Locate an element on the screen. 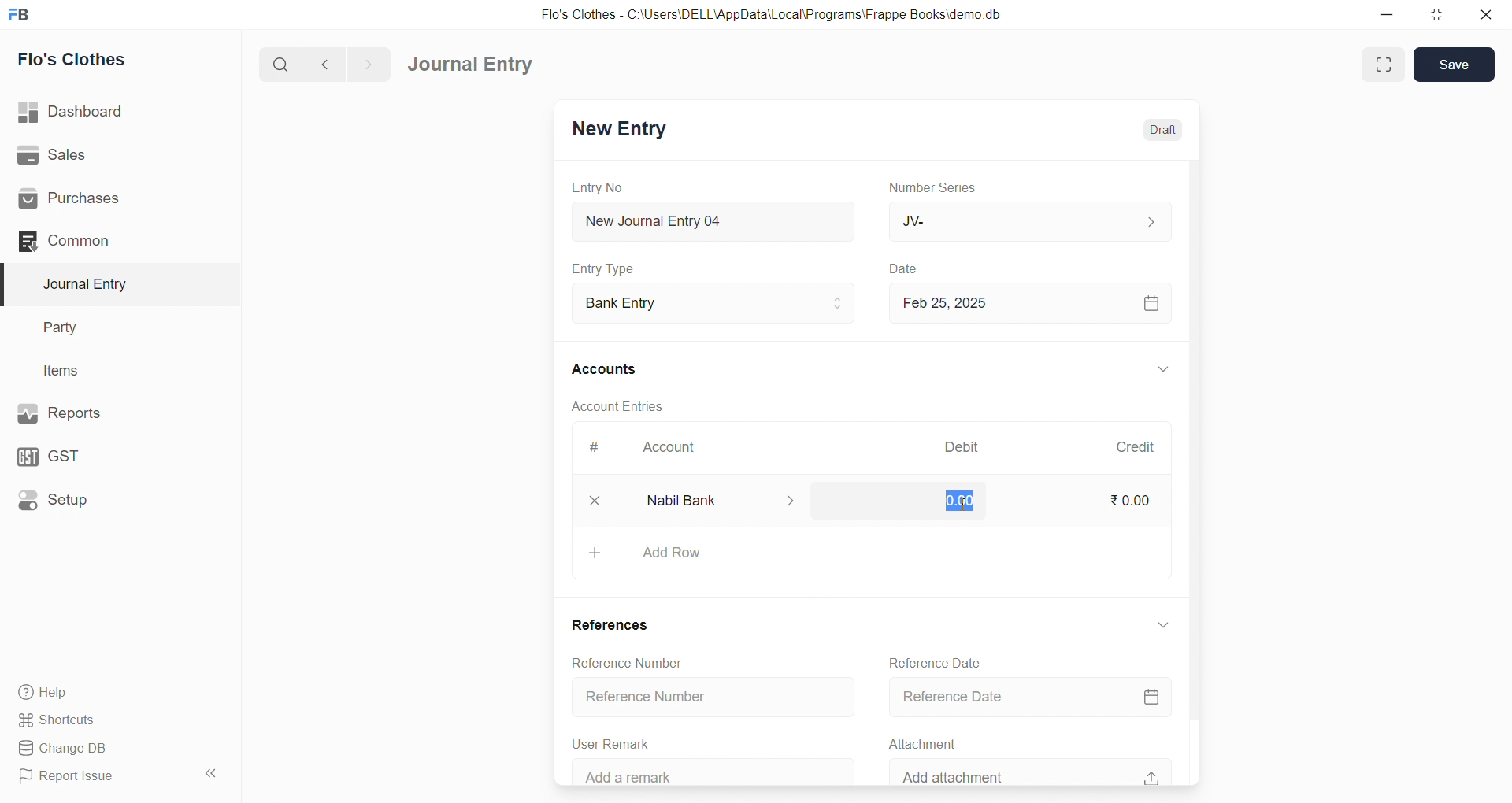 The height and width of the screenshot is (803, 1512). Entry No. is located at coordinates (597, 187).